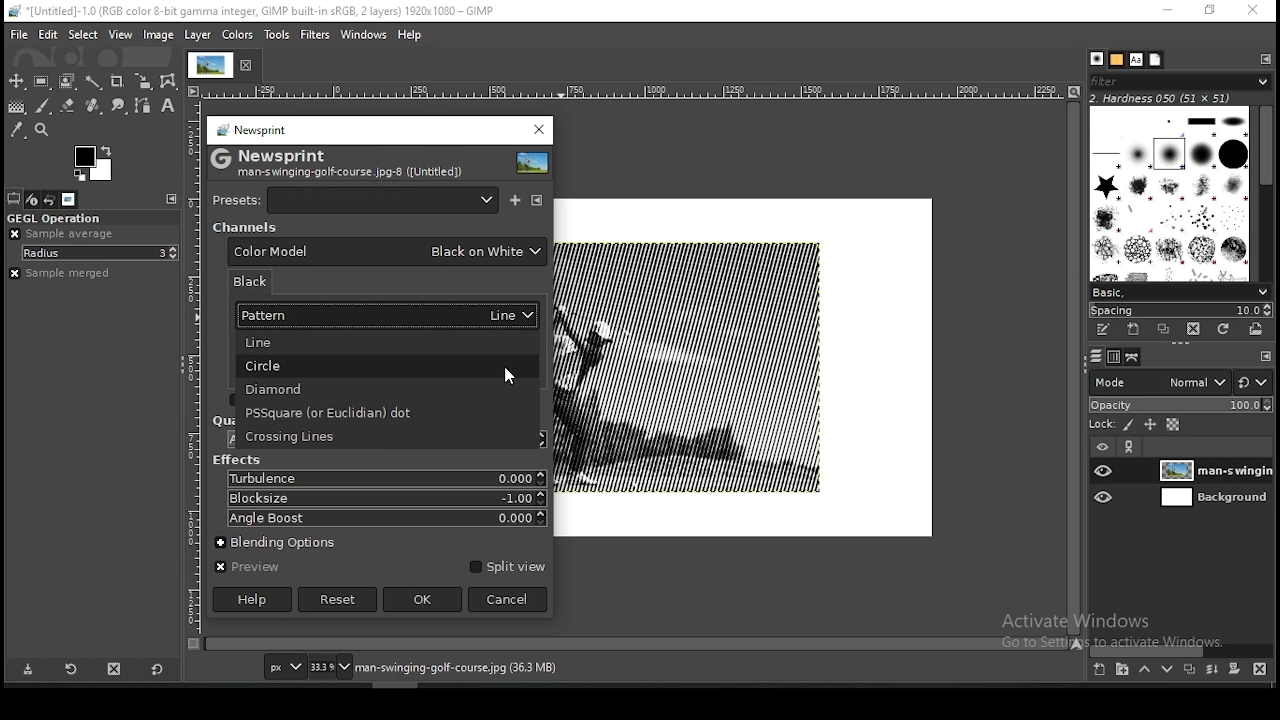 This screenshot has height=720, width=1280. What do you see at coordinates (1117, 59) in the screenshot?
I see `patterns` at bounding box center [1117, 59].